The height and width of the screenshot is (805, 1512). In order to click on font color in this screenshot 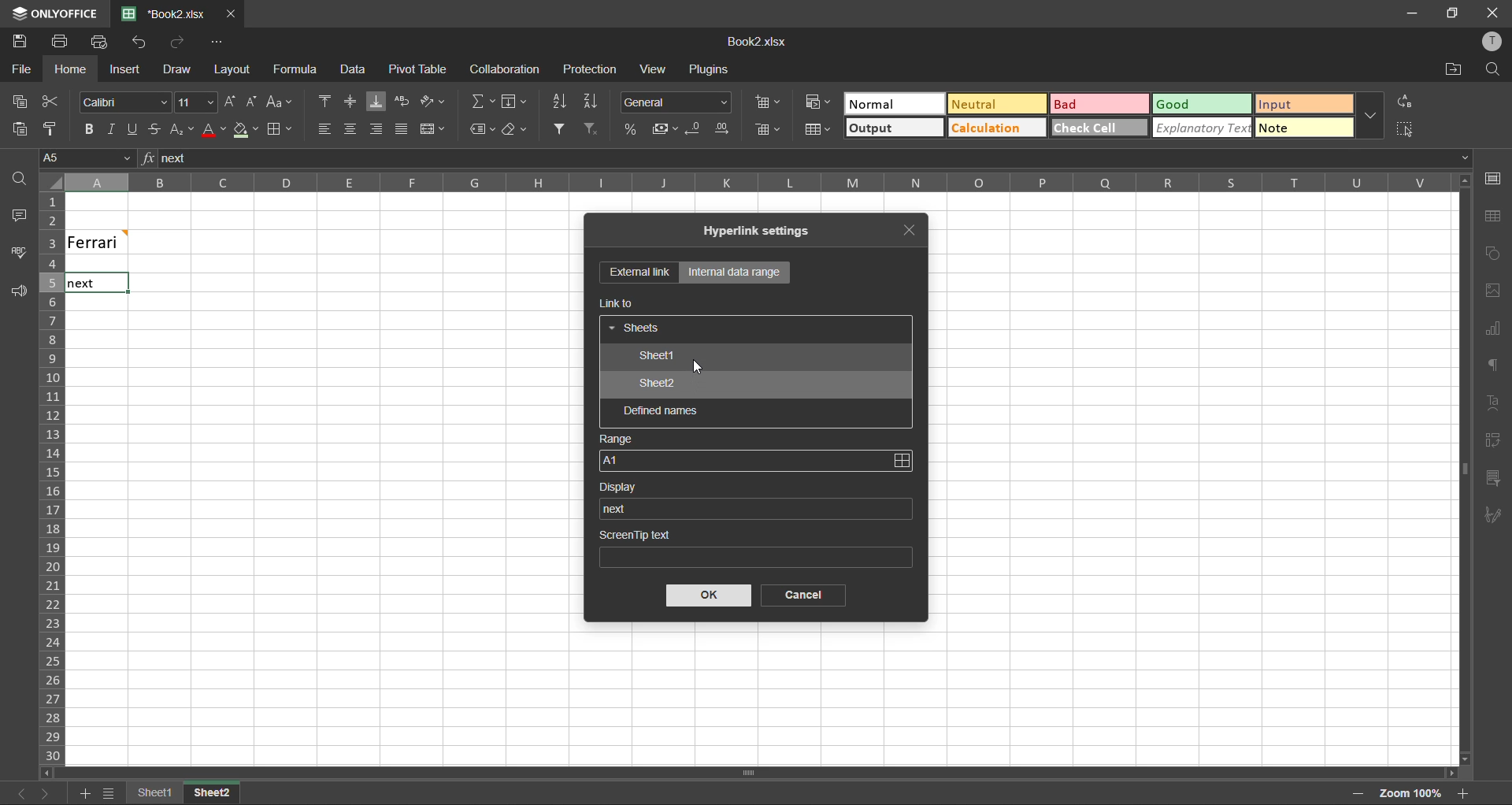, I will do `click(213, 128)`.